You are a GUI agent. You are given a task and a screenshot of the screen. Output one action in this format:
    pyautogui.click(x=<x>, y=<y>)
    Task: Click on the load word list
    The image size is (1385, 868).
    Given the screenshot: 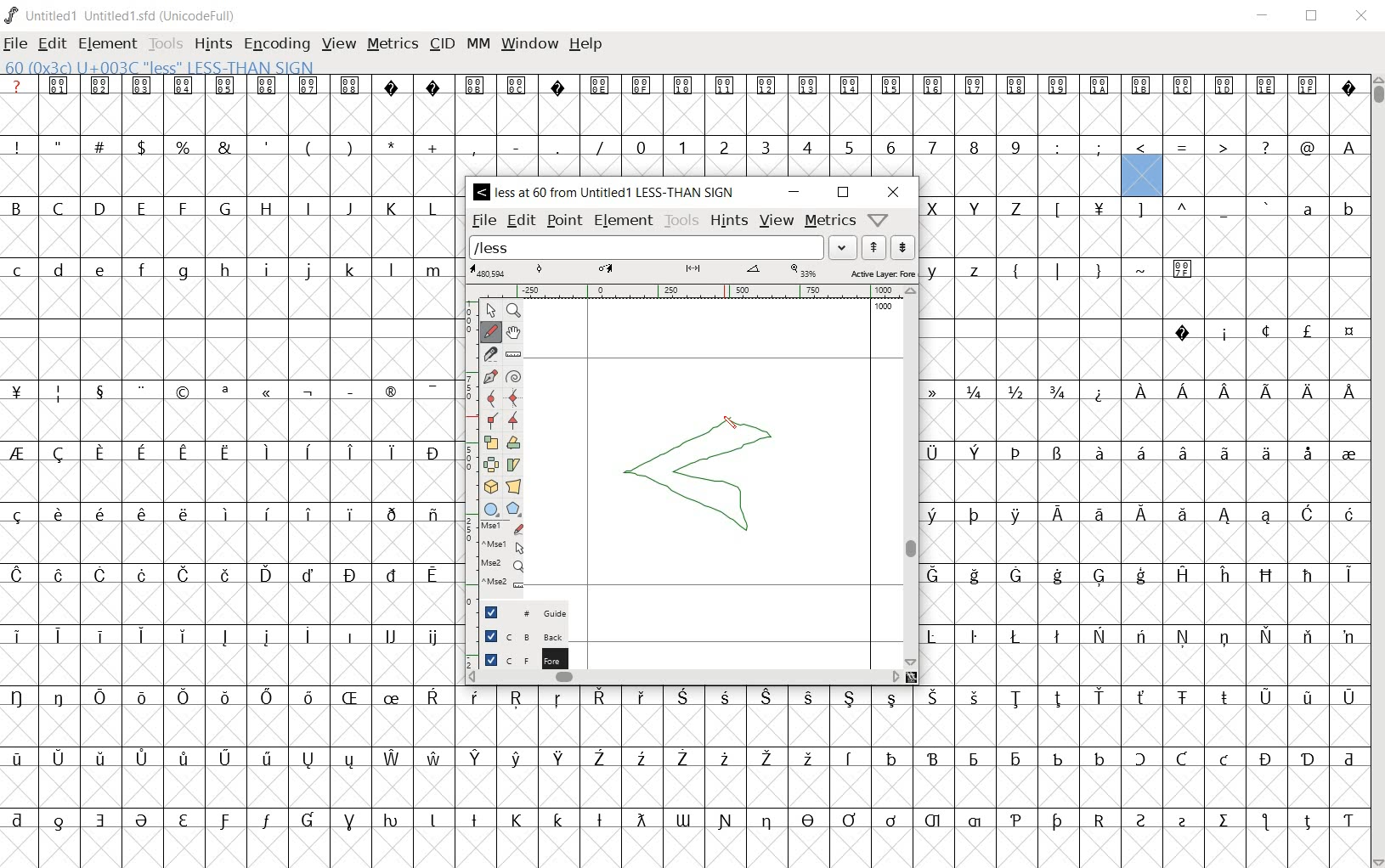 What is the action you would take?
    pyautogui.click(x=663, y=247)
    